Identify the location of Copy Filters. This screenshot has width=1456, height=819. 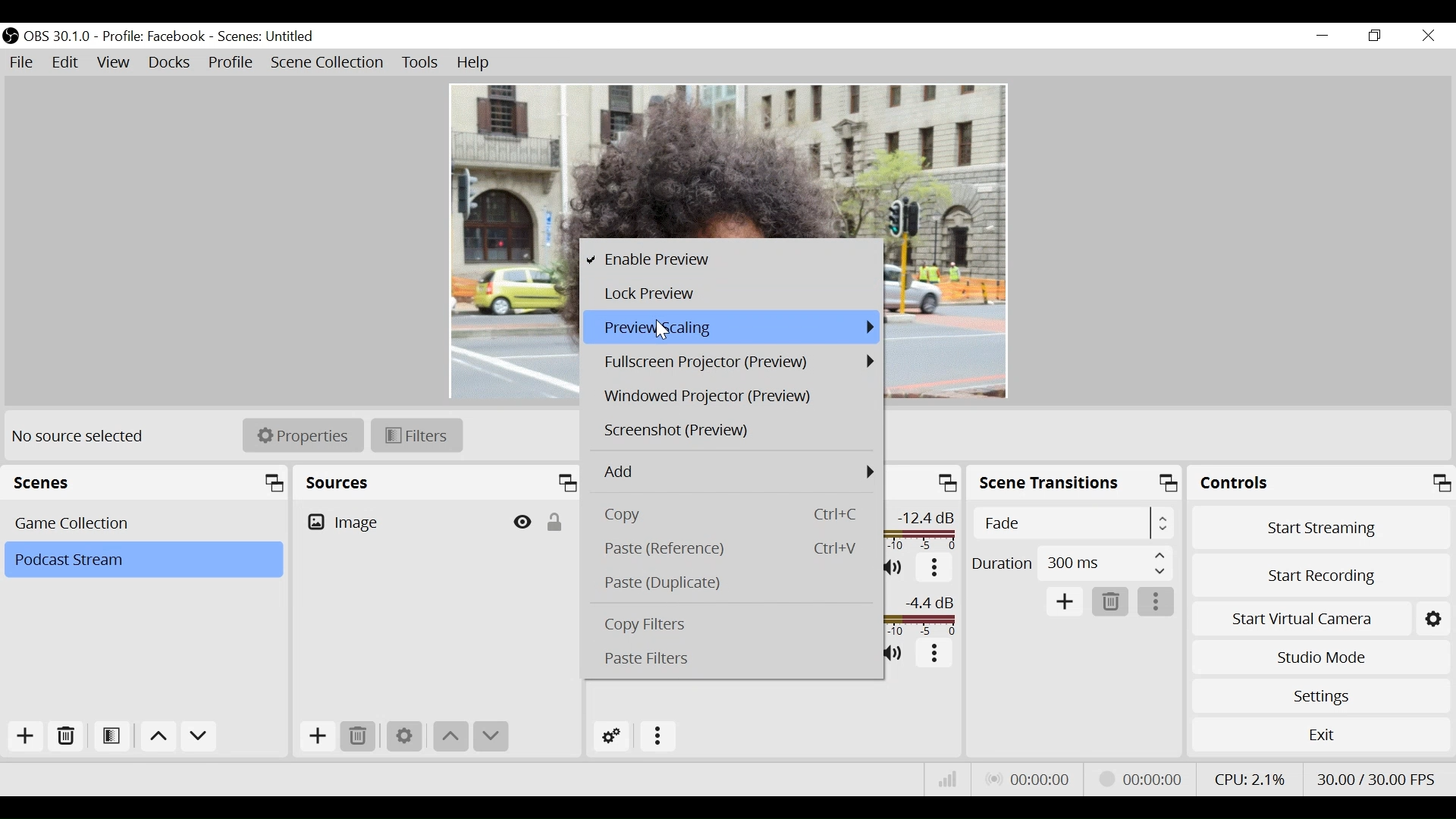
(735, 623).